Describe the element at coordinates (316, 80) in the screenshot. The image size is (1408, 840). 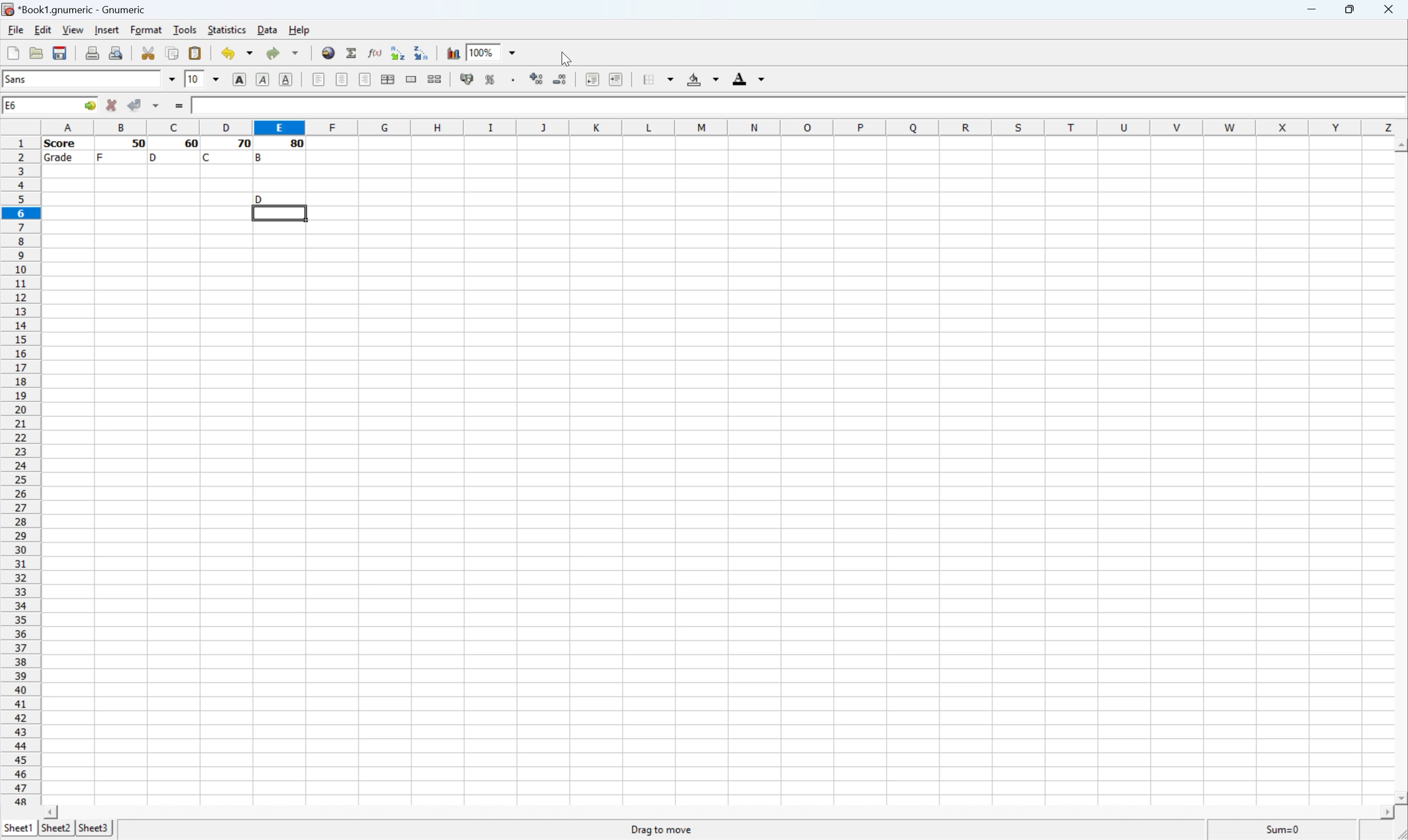
I see `Align Left` at that location.